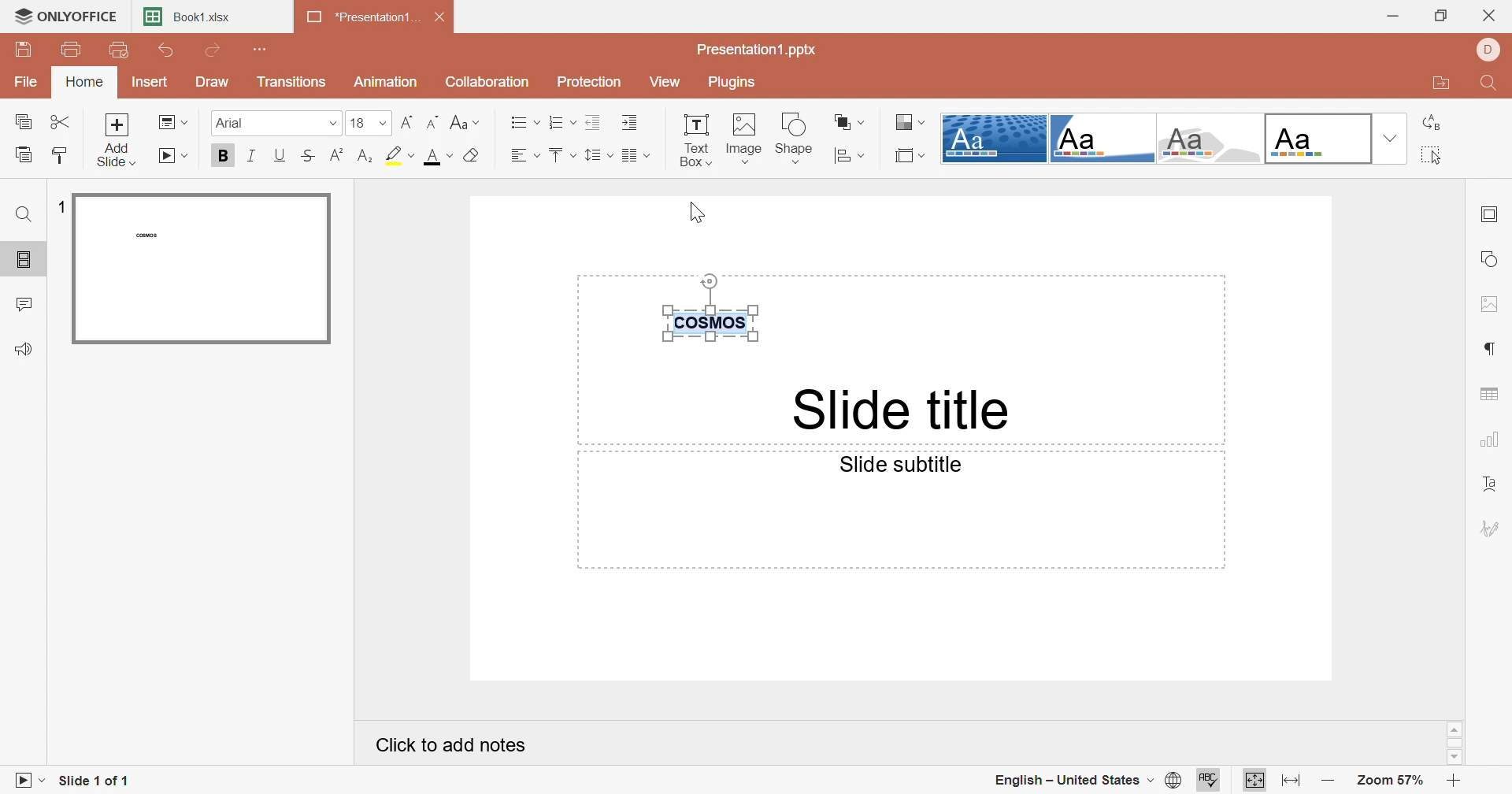 Image resolution: width=1512 pixels, height=794 pixels. Describe the element at coordinates (399, 155) in the screenshot. I see `Highlight color` at that location.